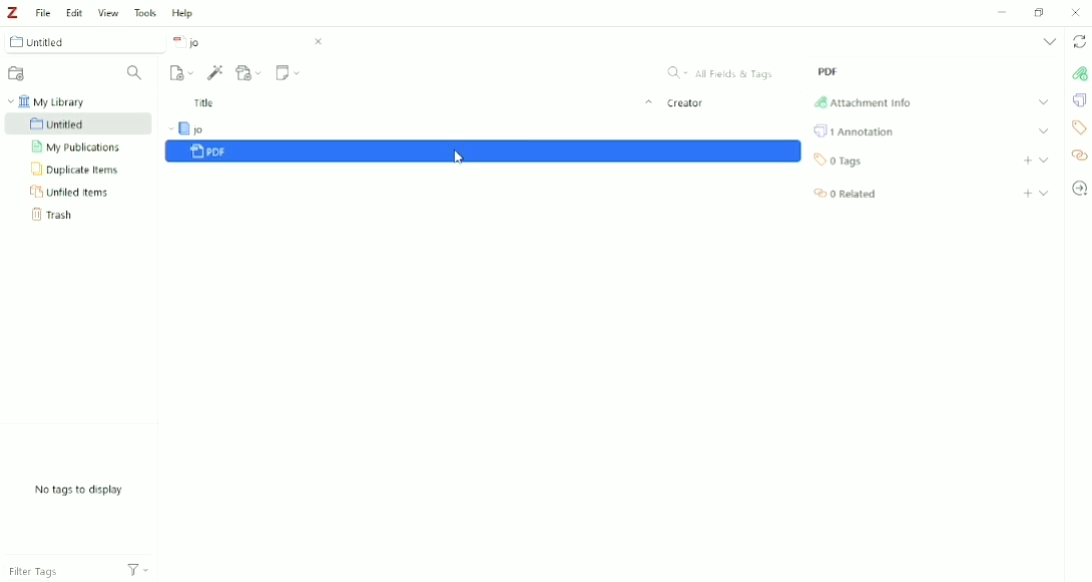 This screenshot has height=582, width=1092. I want to click on Expand section, so click(1045, 193).